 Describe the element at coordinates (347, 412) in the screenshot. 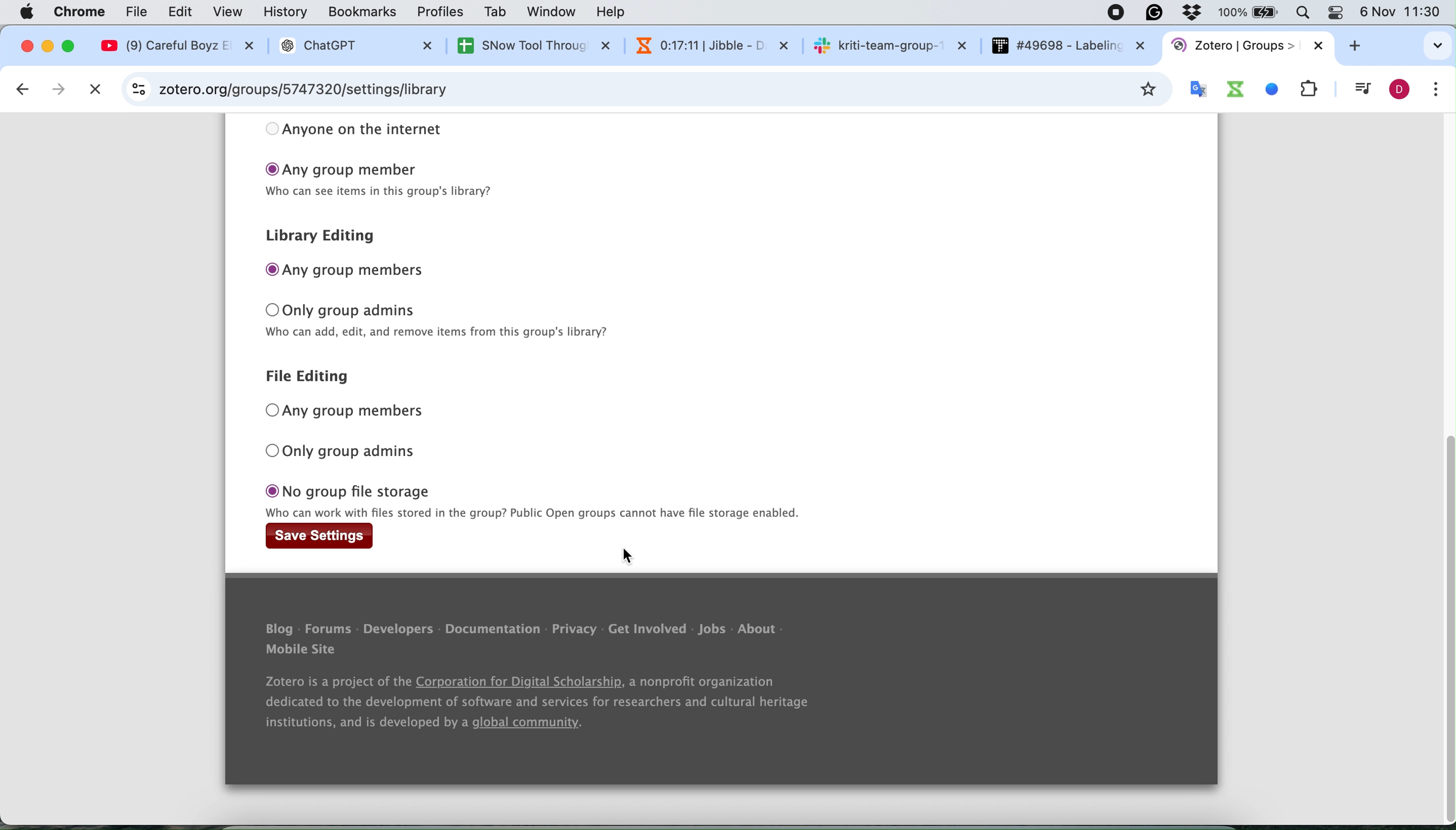

I see `any group members` at that location.